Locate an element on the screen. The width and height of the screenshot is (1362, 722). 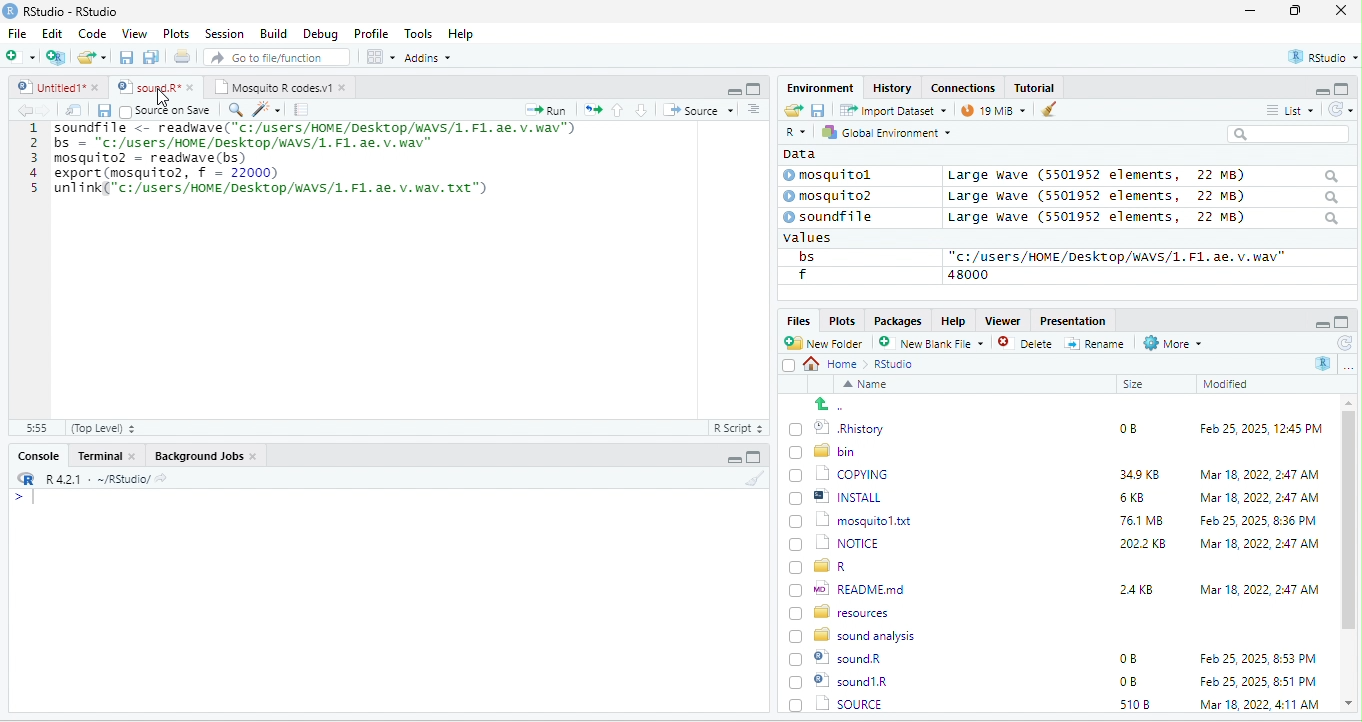
Presentation is located at coordinates (1071, 320).